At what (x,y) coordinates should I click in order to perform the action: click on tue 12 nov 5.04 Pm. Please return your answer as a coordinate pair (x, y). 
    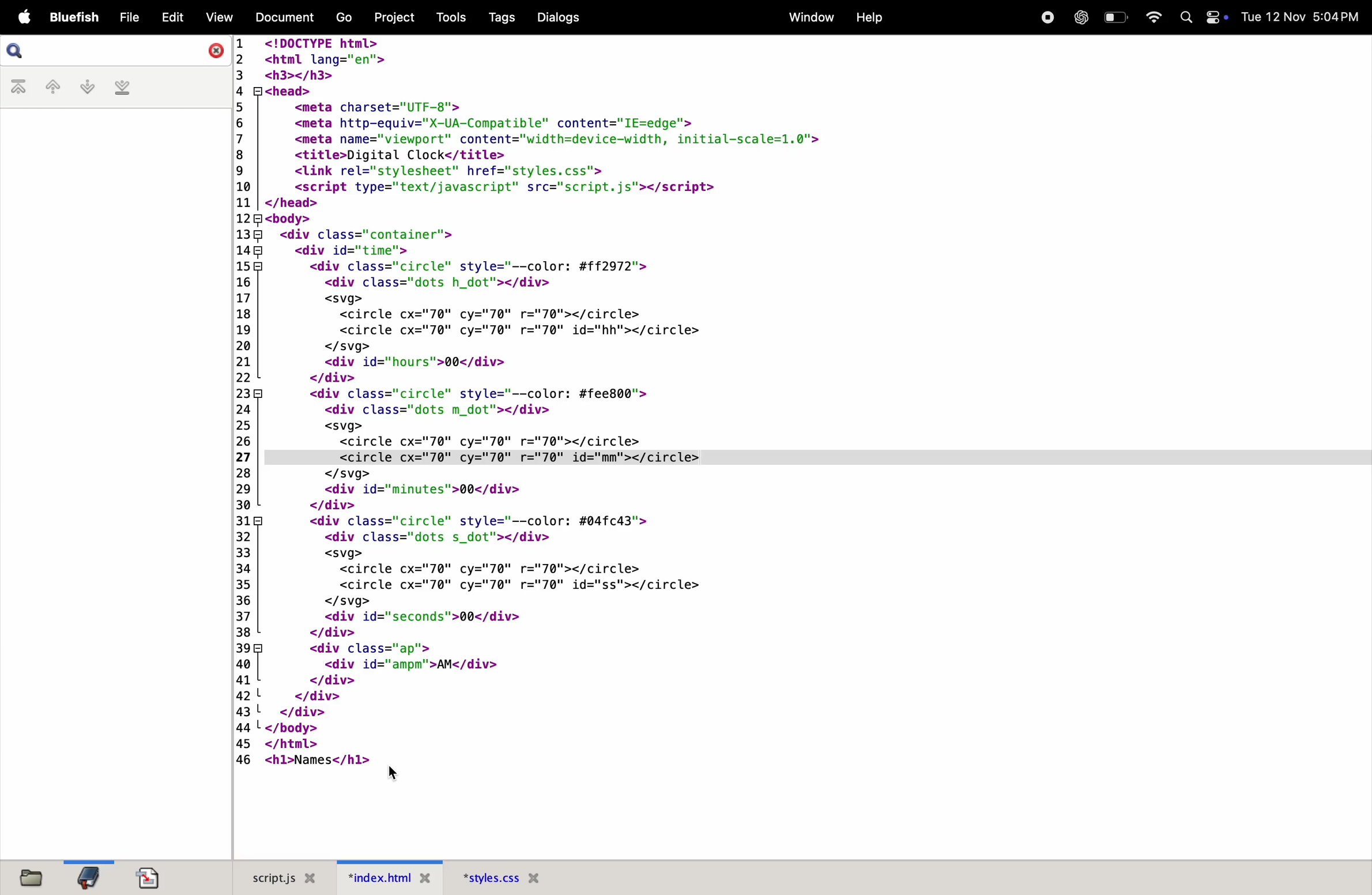
    Looking at the image, I should click on (1302, 17).